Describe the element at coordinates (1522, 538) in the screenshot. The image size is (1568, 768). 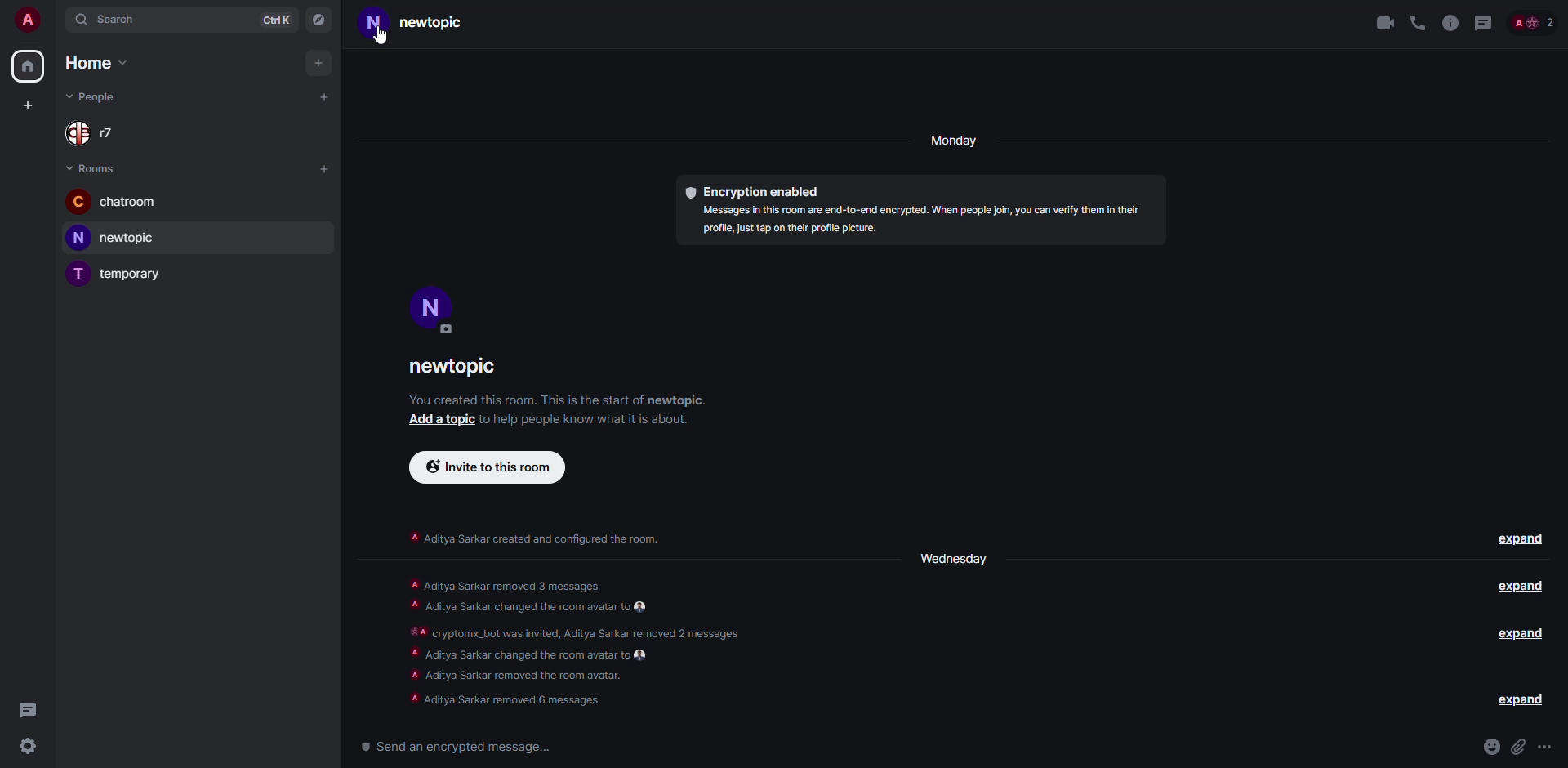
I see `expand` at that location.